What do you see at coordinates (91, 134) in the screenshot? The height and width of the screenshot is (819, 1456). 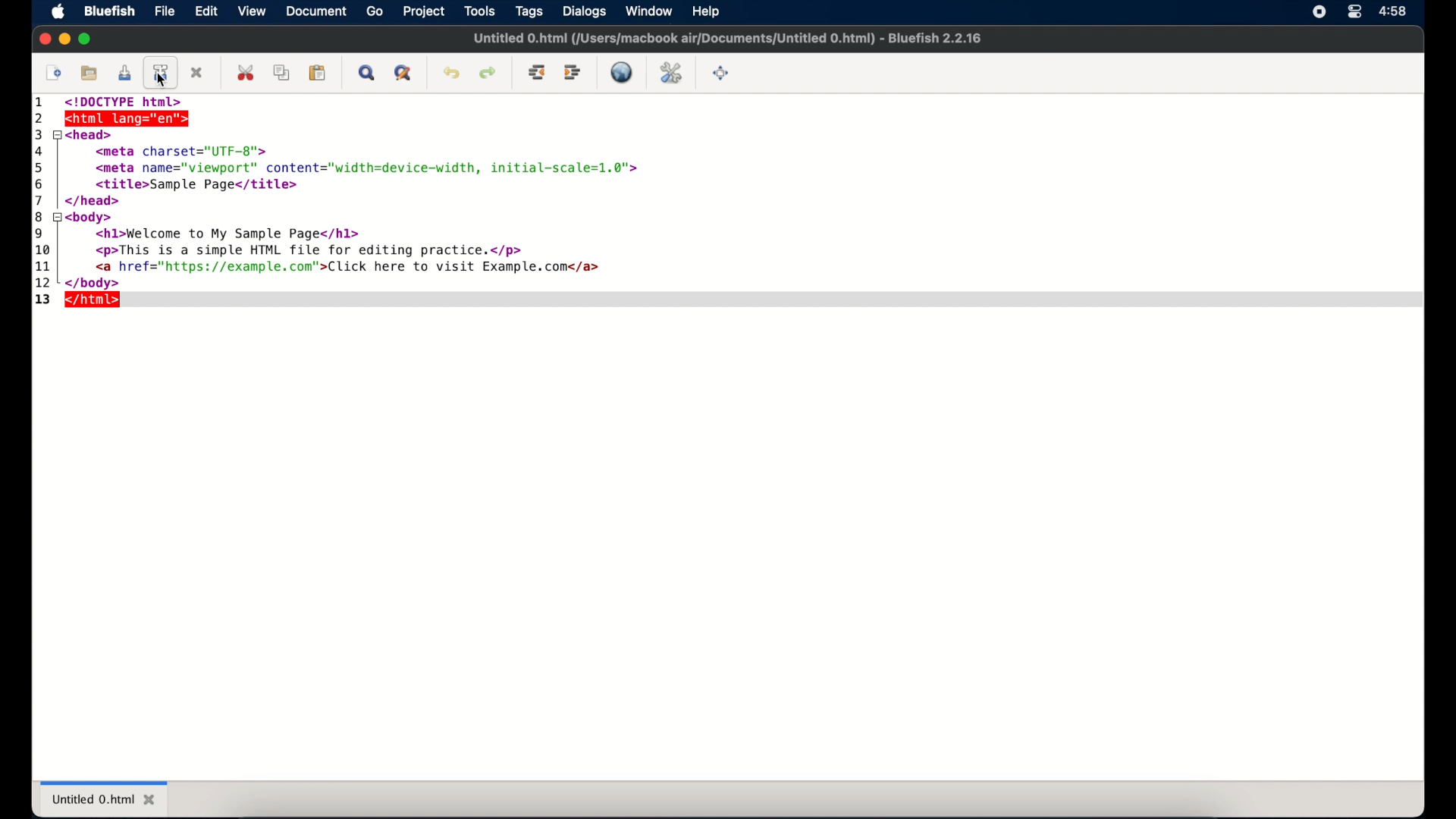 I see `<head>` at bounding box center [91, 134].